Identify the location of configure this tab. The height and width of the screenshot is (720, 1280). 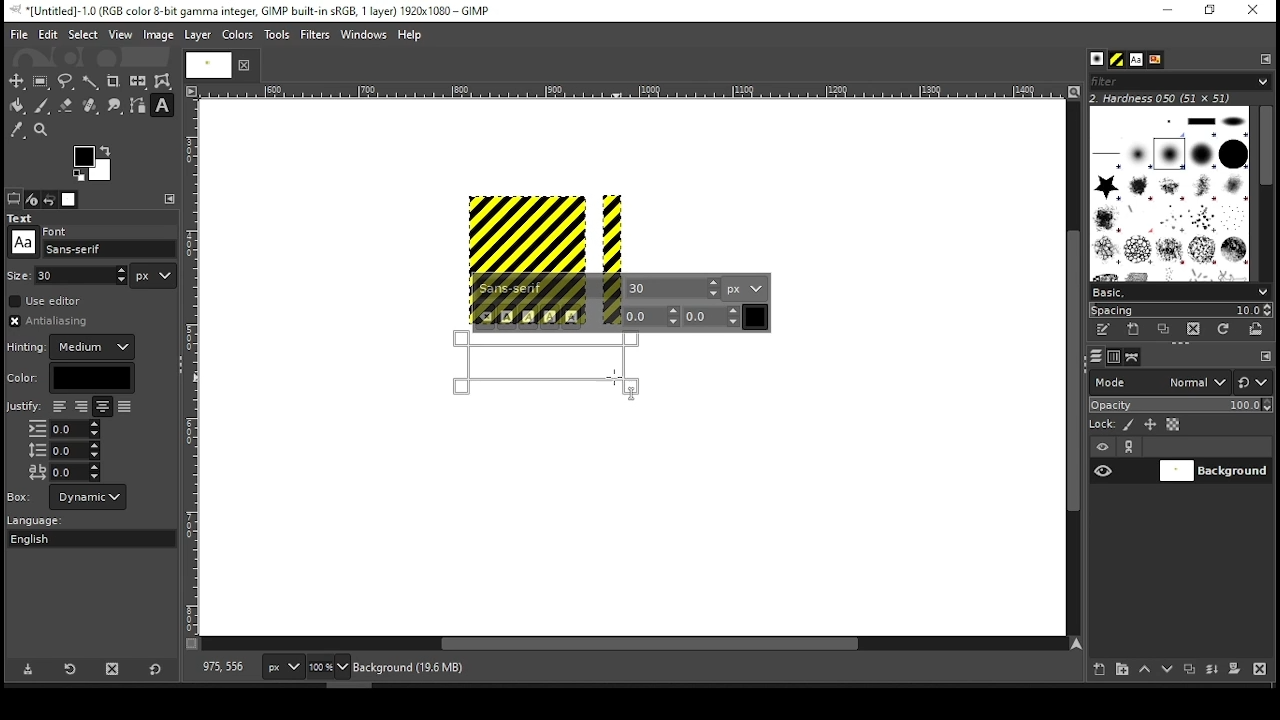
(172, 199).